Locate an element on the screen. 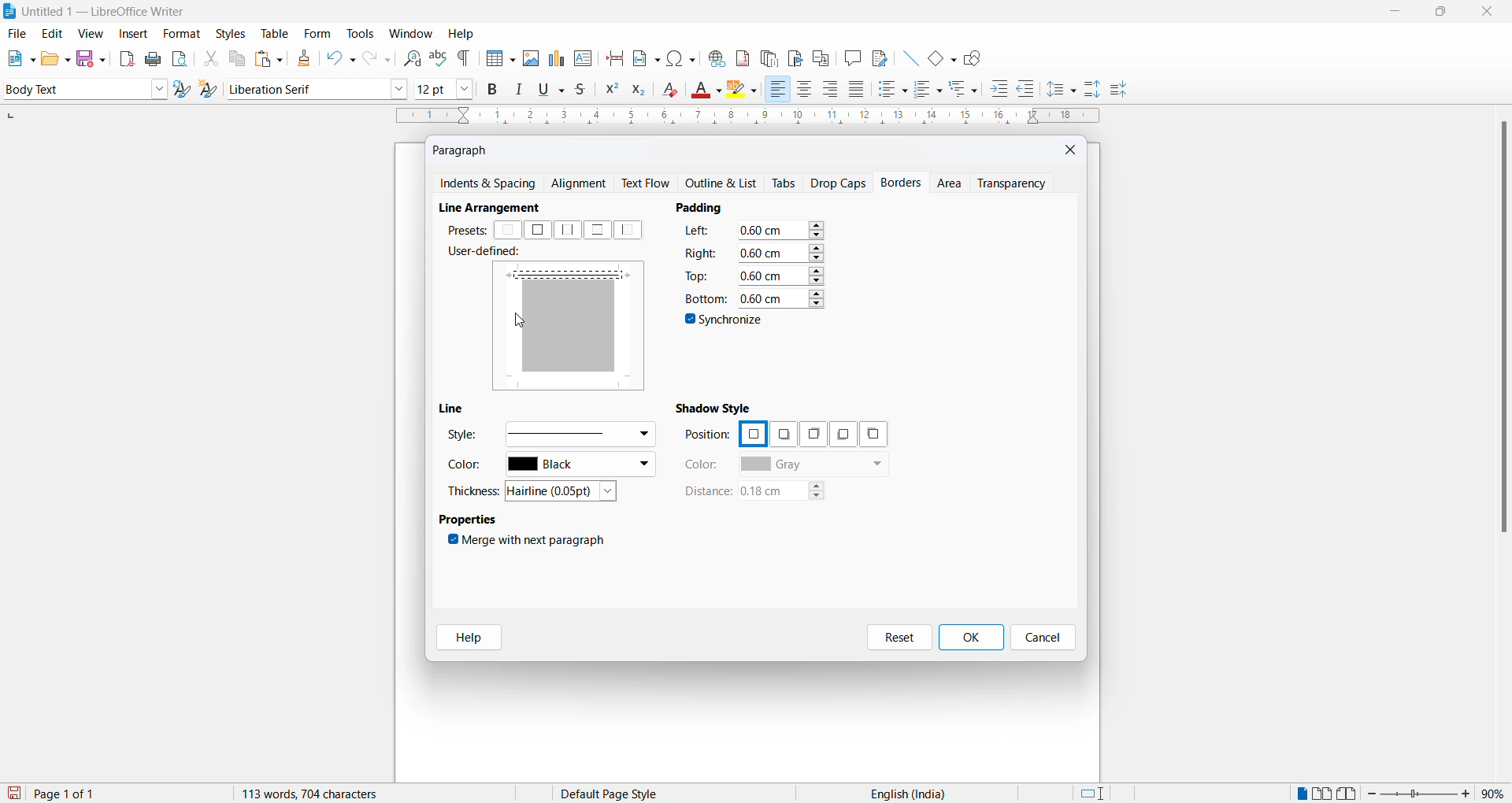 This screenshot has width=1512, height=803. alignment is located at coordinates (583, 184).